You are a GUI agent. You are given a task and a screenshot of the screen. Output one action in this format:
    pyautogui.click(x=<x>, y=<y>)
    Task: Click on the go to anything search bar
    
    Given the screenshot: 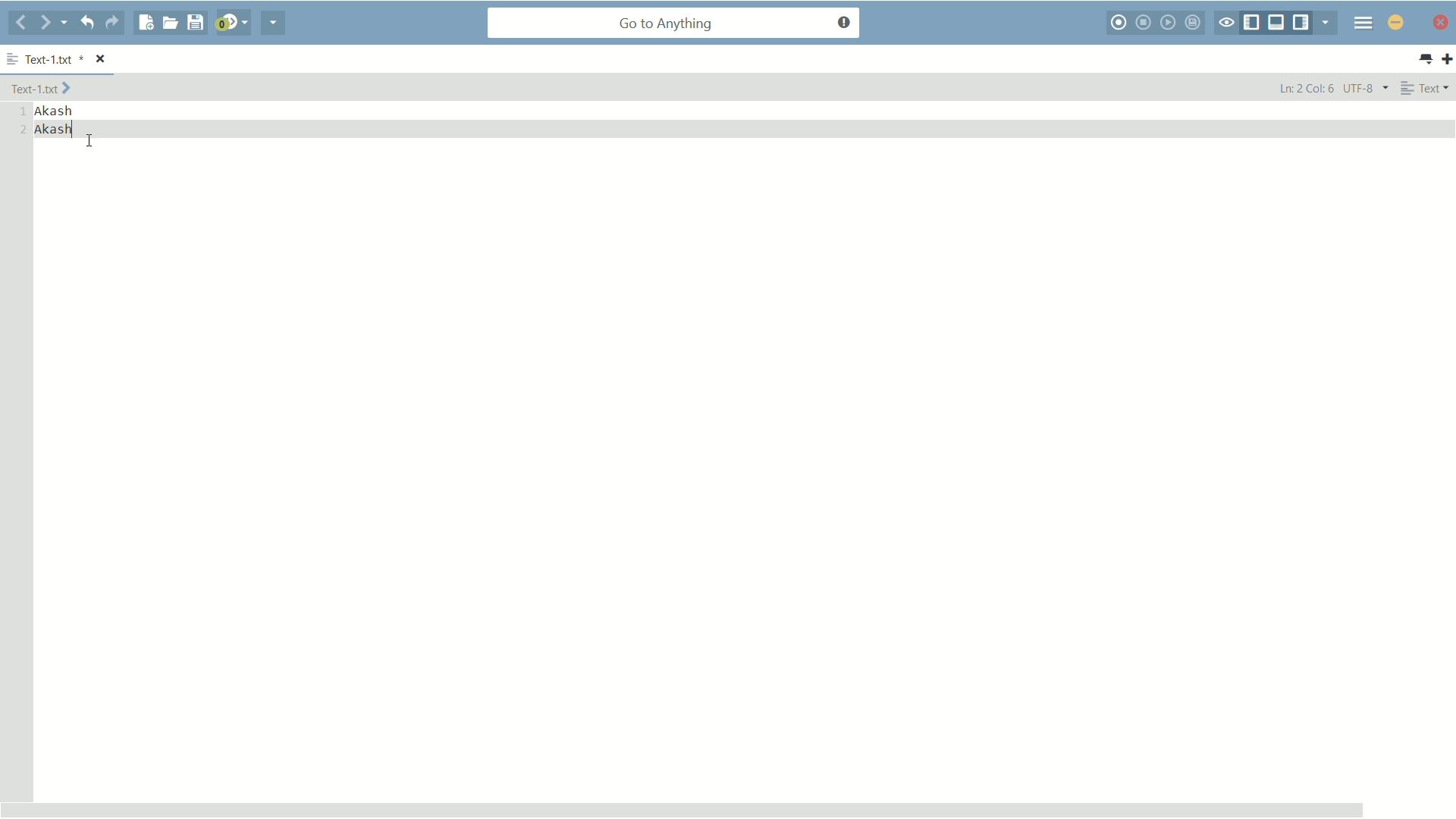 What is the action you would take?
    pyautogui.click(x=674, y=24)
    